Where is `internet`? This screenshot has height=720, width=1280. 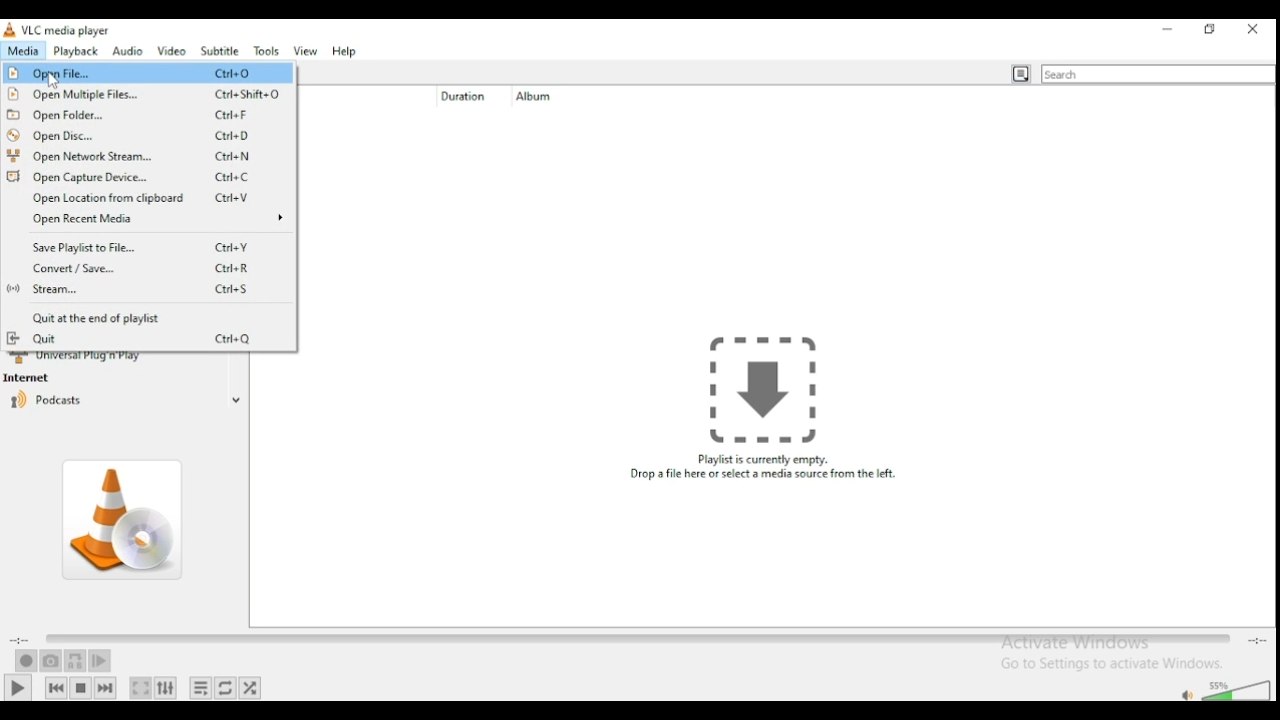 internet is located at coordinates (30, 378).